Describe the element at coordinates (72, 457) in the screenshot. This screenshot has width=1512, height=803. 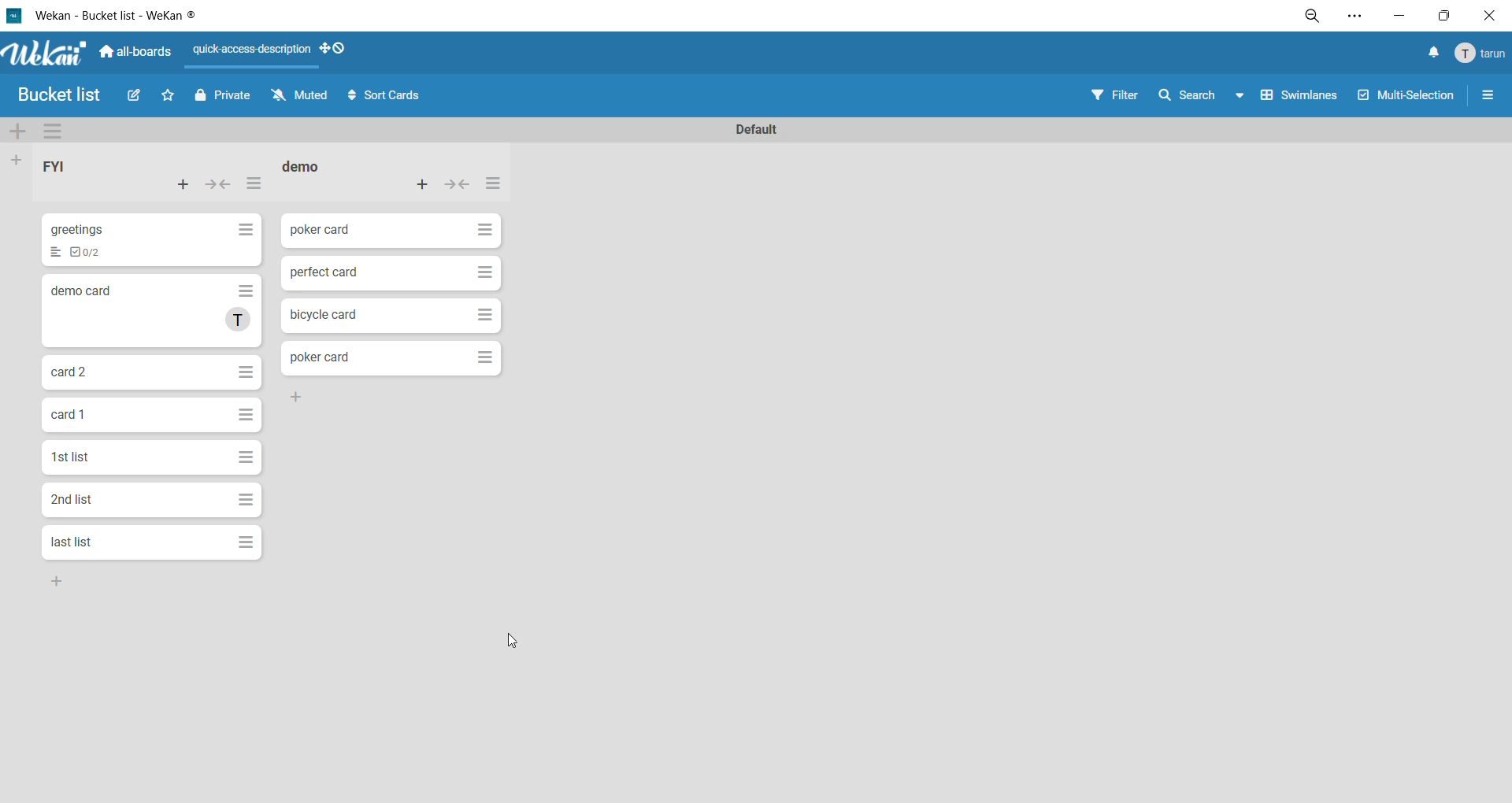
I see `1st list` at that location.